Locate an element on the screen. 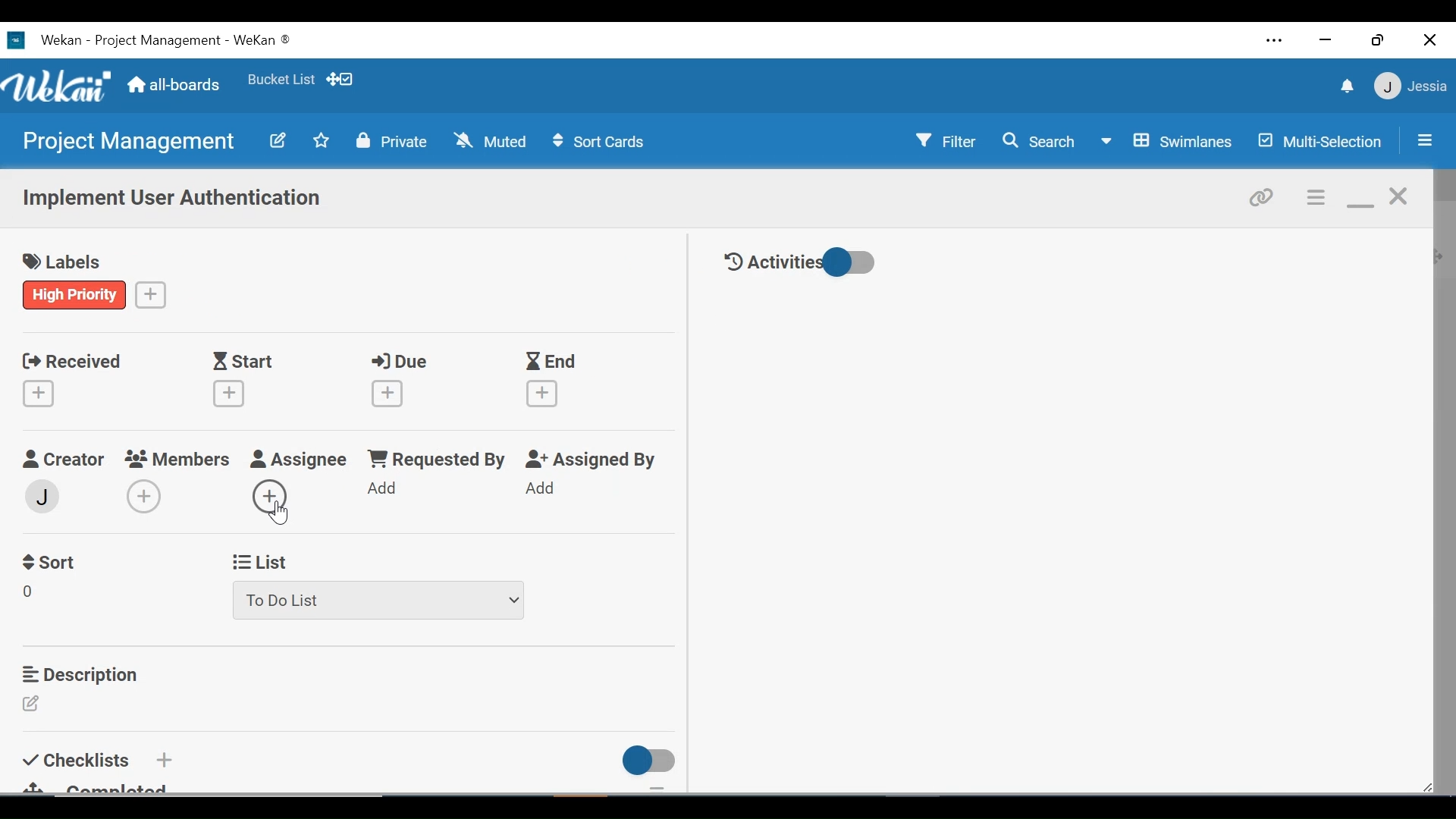  Edit is located at coordinates (36, 704).